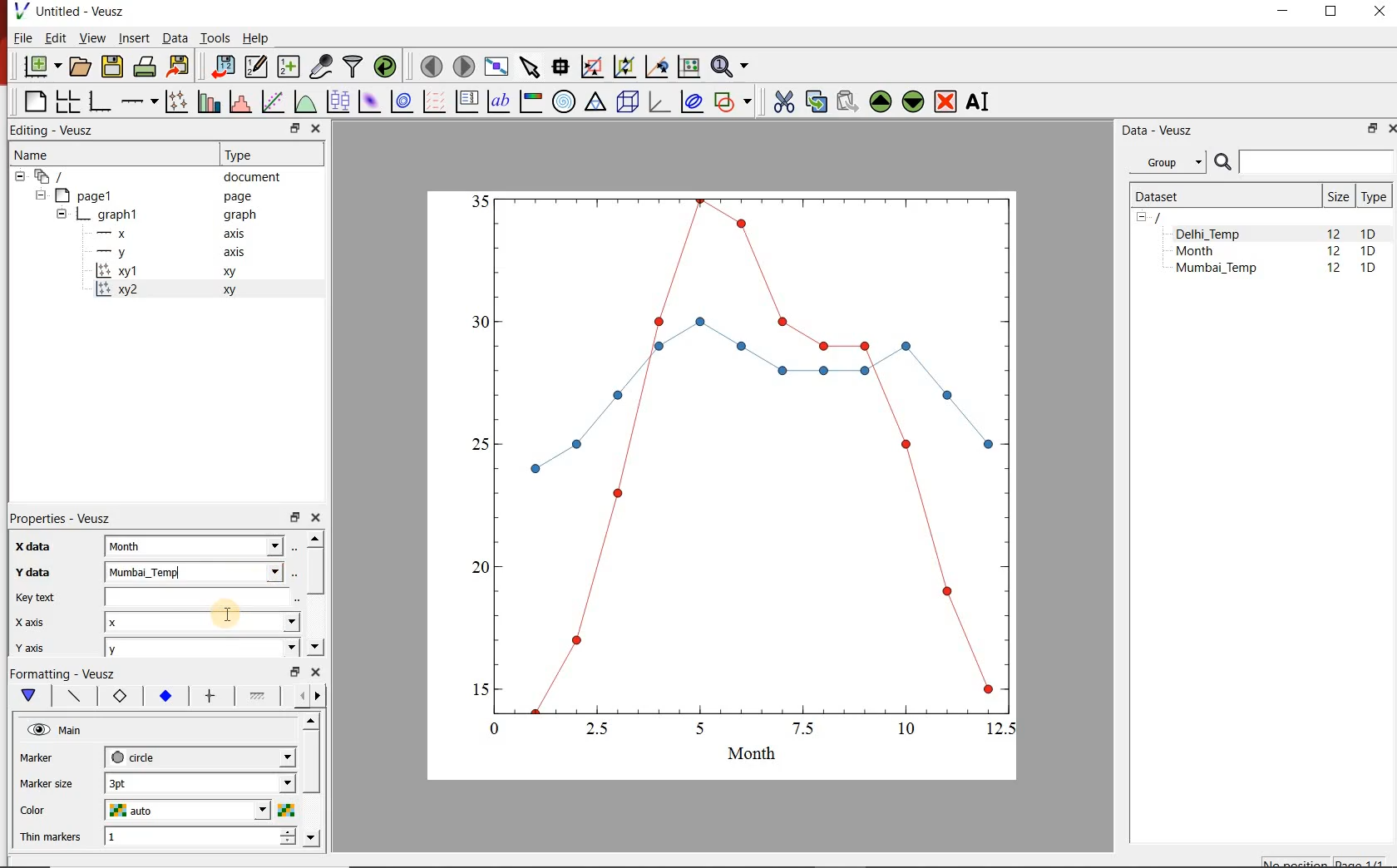 The height and width of the screenshot is (868, 1397). I want to click on Grid lines, so click(310, 698).